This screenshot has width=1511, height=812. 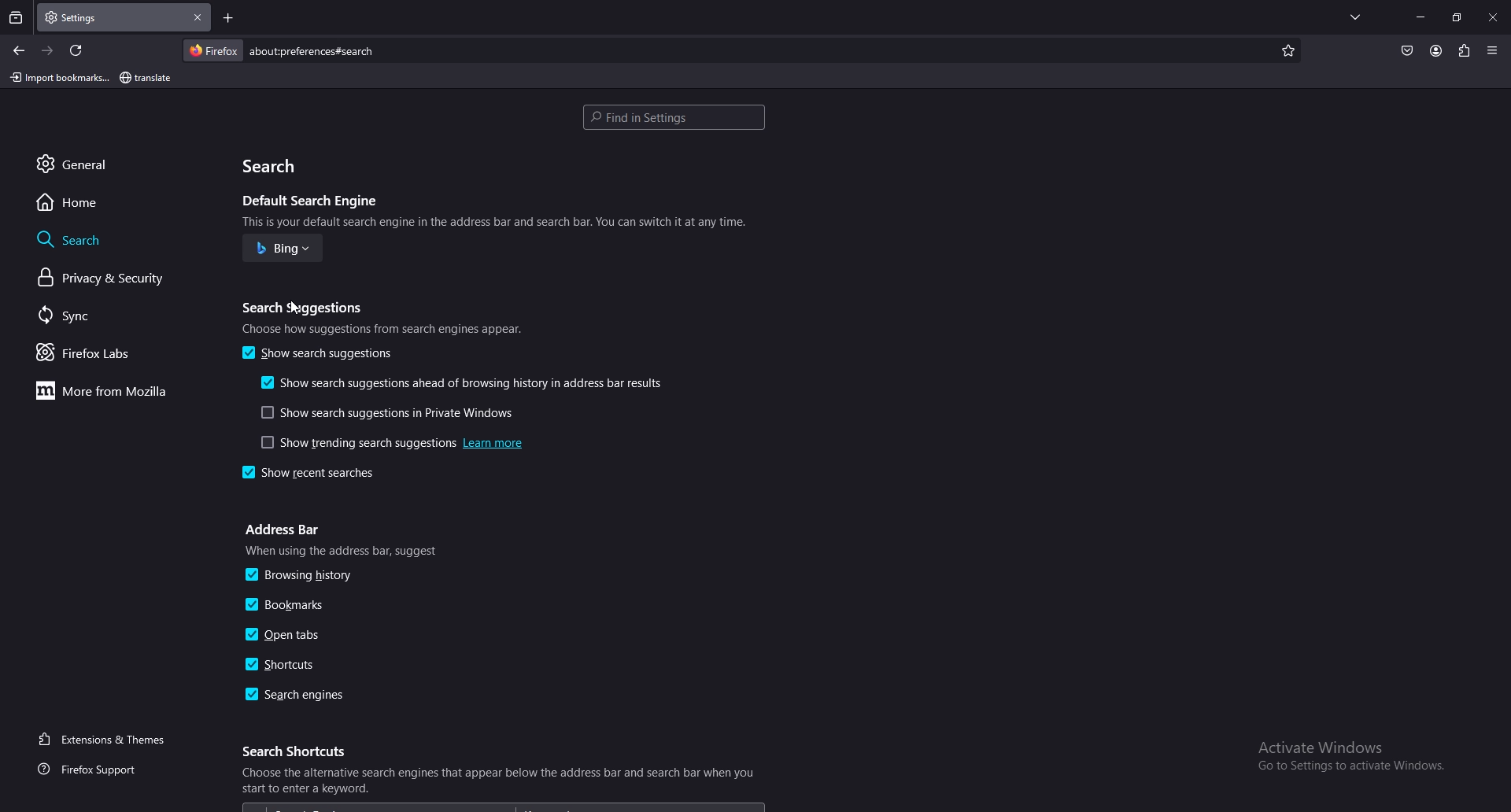 I want to click on info, so click(x=502, y=780).